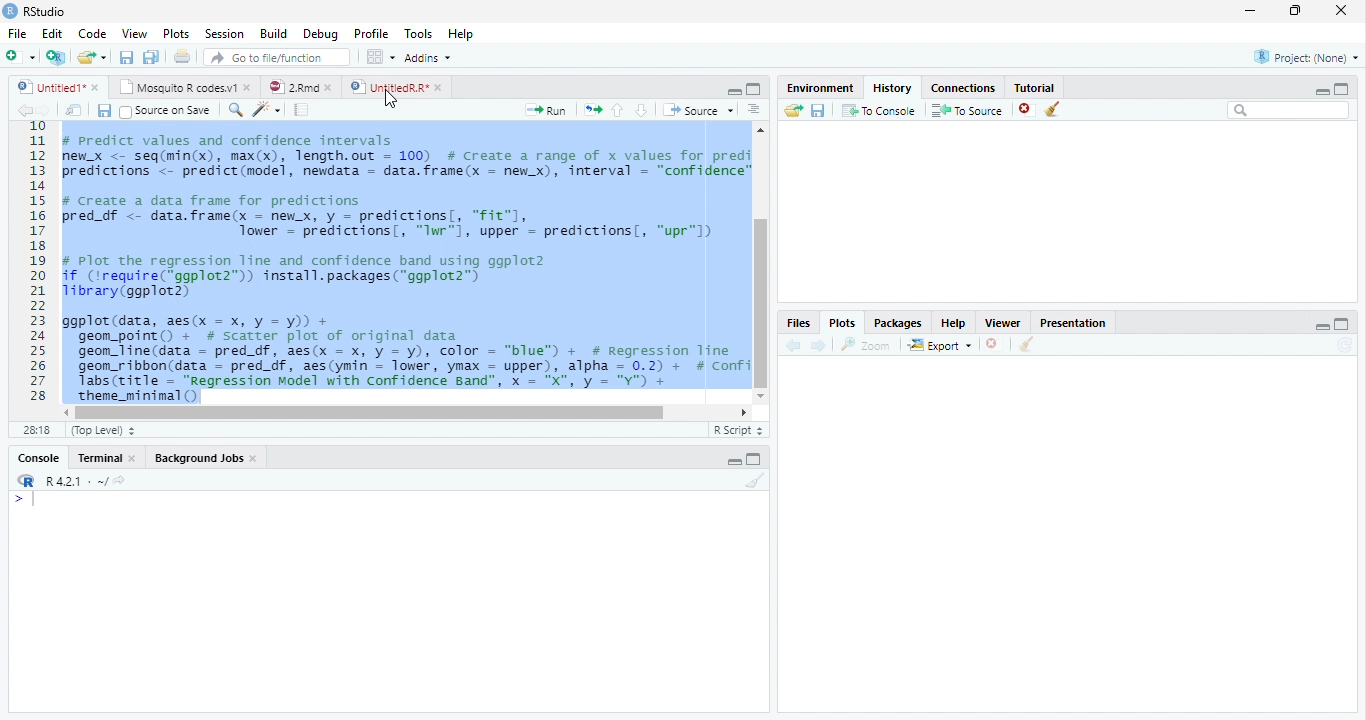 Image resolution: width=1366 pixels, height=720 pixels. Describe the element at coordinates (1344, 88) in the screenshot. I see `Maximize` at that location.